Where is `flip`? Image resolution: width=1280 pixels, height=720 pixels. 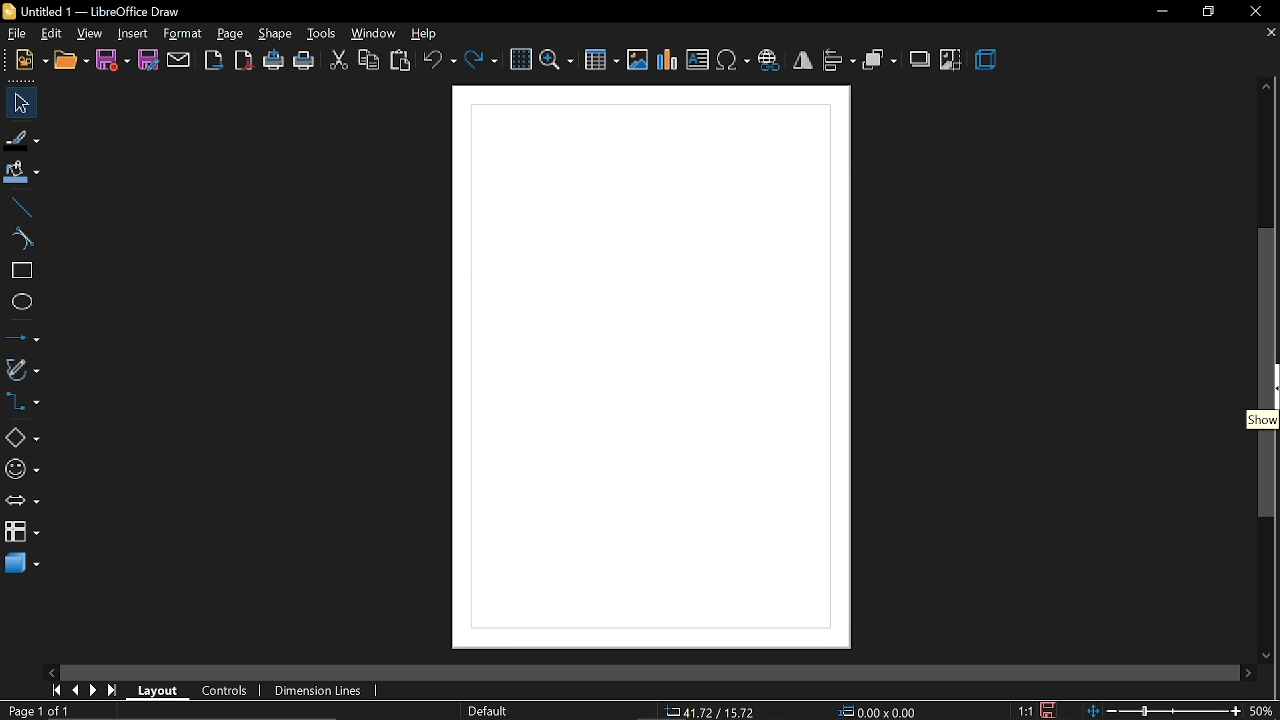
flip is located at coordinates (802, 63).